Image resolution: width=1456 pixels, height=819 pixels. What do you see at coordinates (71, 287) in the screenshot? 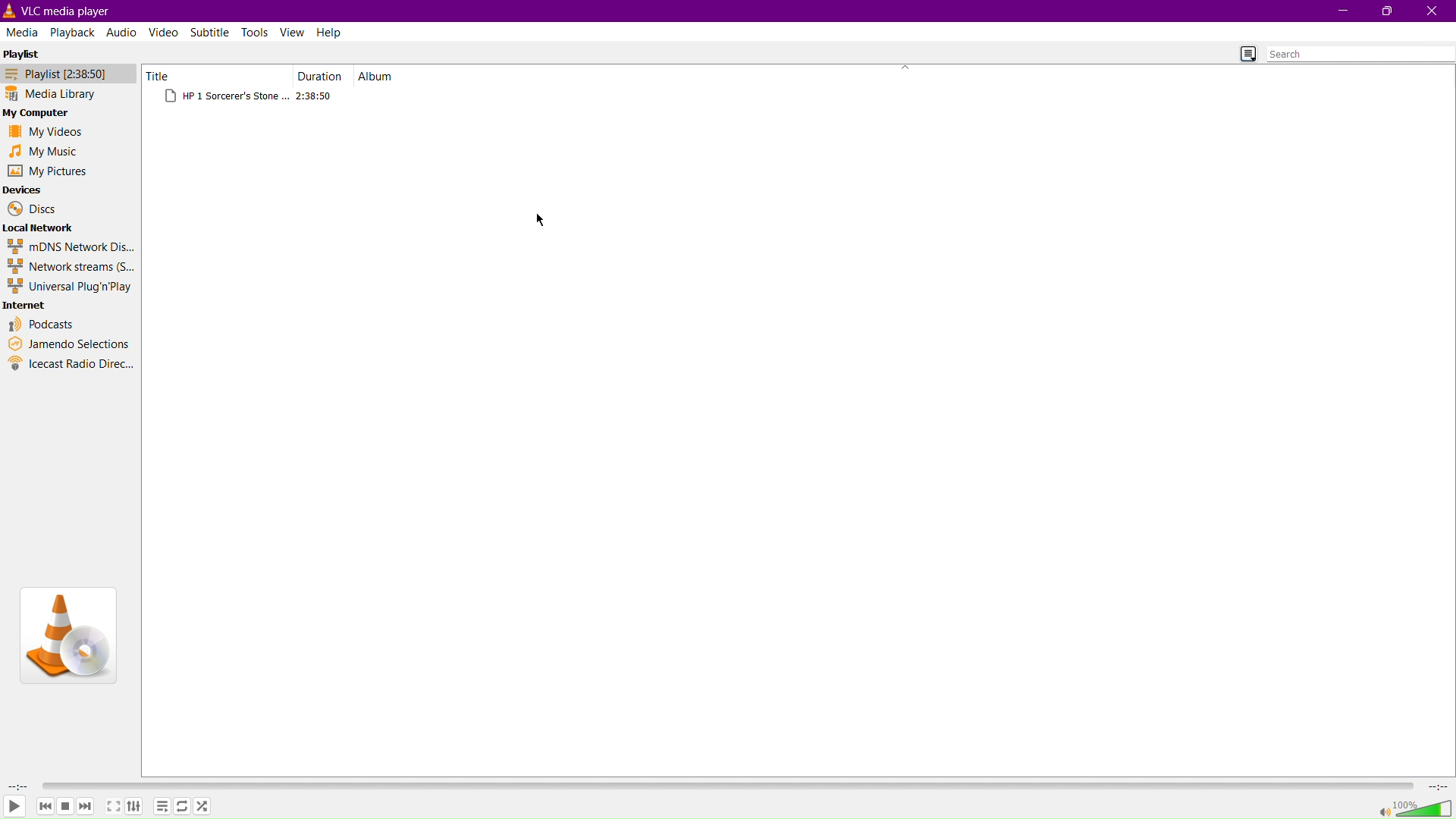
I see `Universal Plug'n'Play` at bounding box center [71, 287].